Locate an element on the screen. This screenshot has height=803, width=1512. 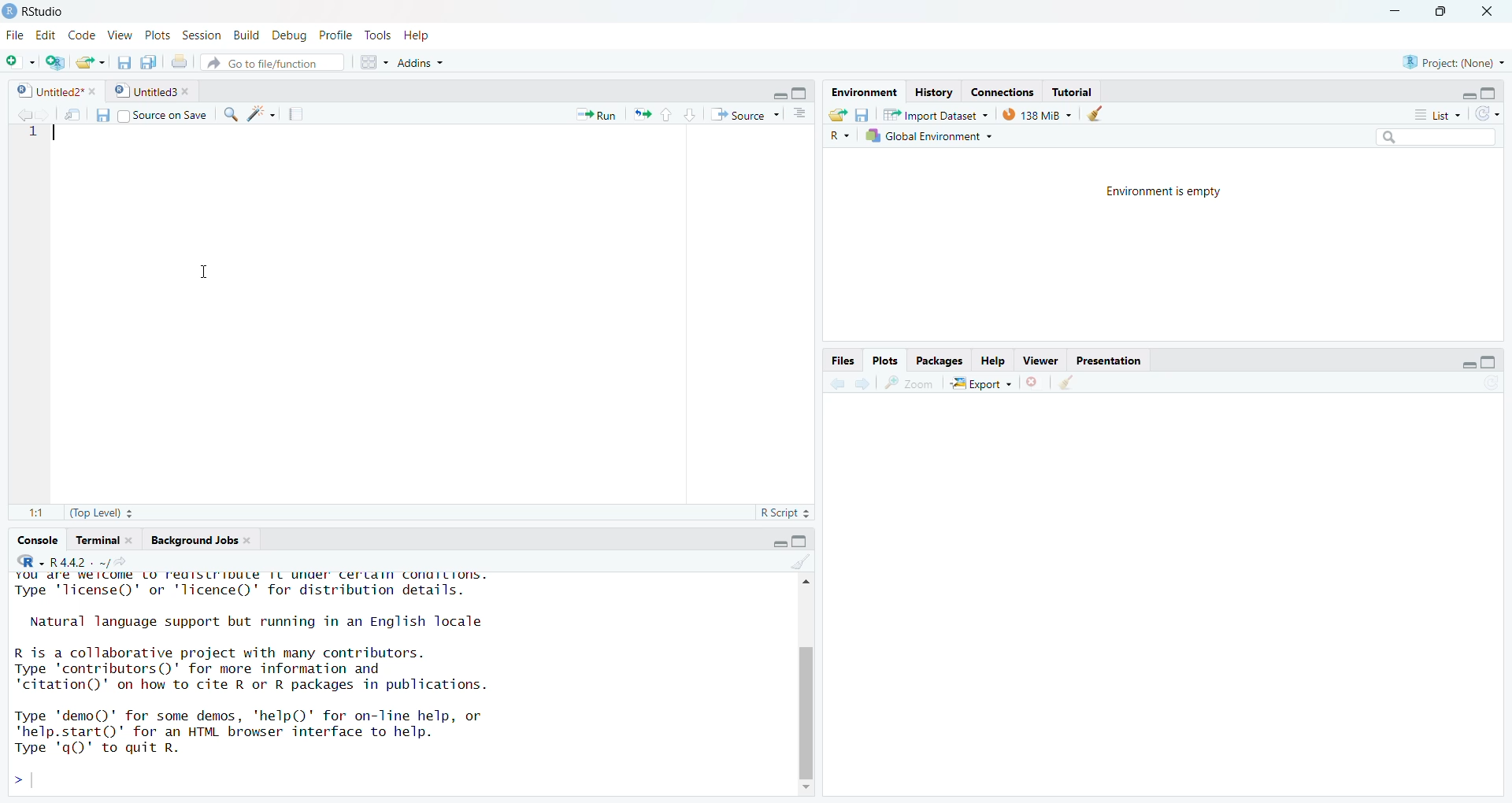
Source on Save is located at coordinates (165, 115).